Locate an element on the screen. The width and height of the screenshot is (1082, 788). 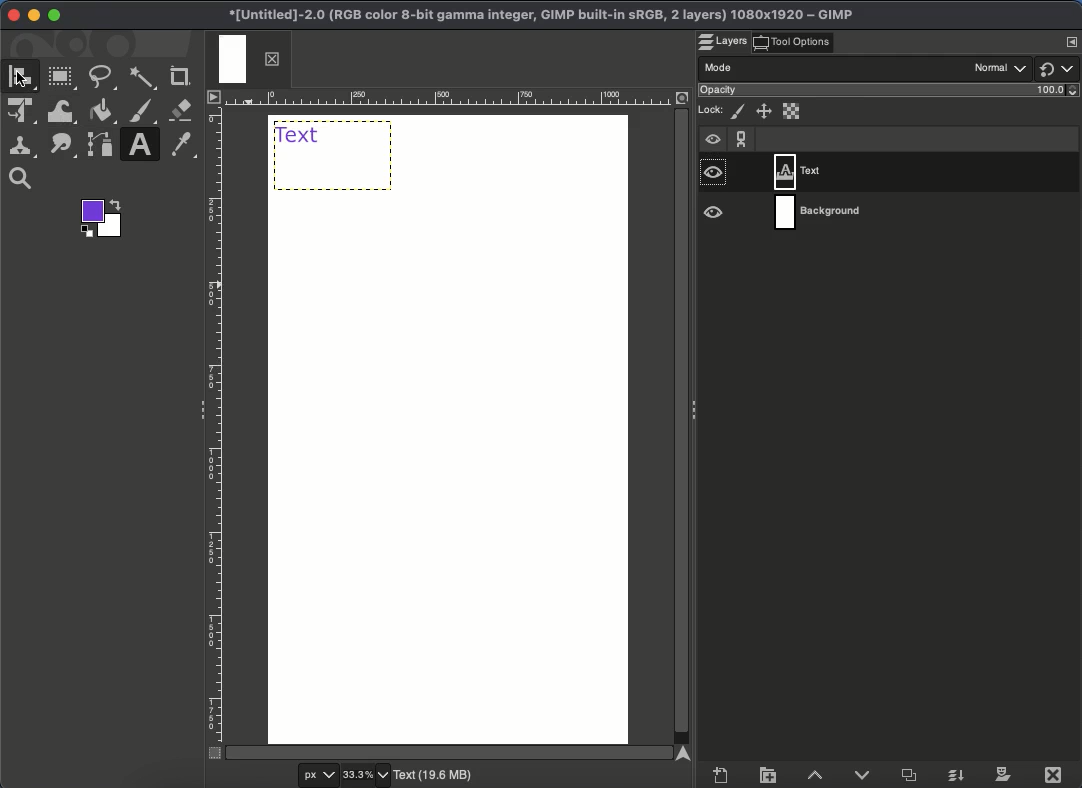
Warp transformation is located at coordinates (61, 111).